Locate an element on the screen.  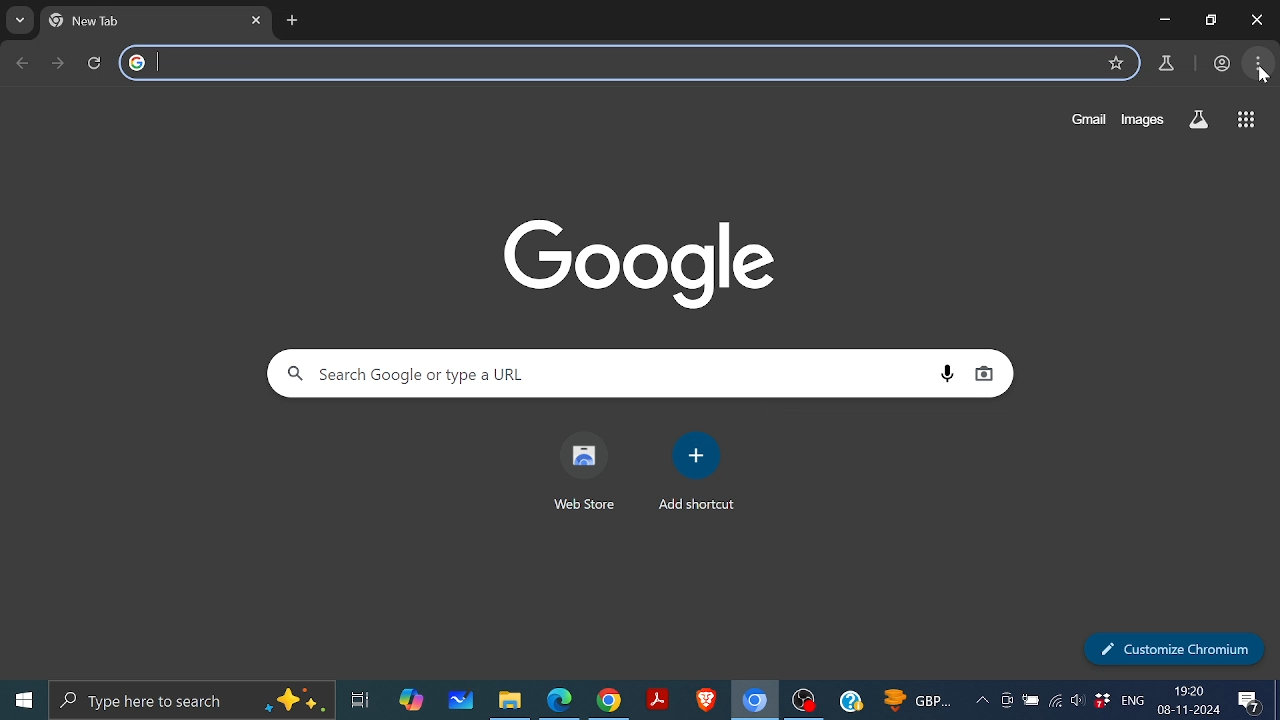
Search labs is located at coordinates (1200, 120).